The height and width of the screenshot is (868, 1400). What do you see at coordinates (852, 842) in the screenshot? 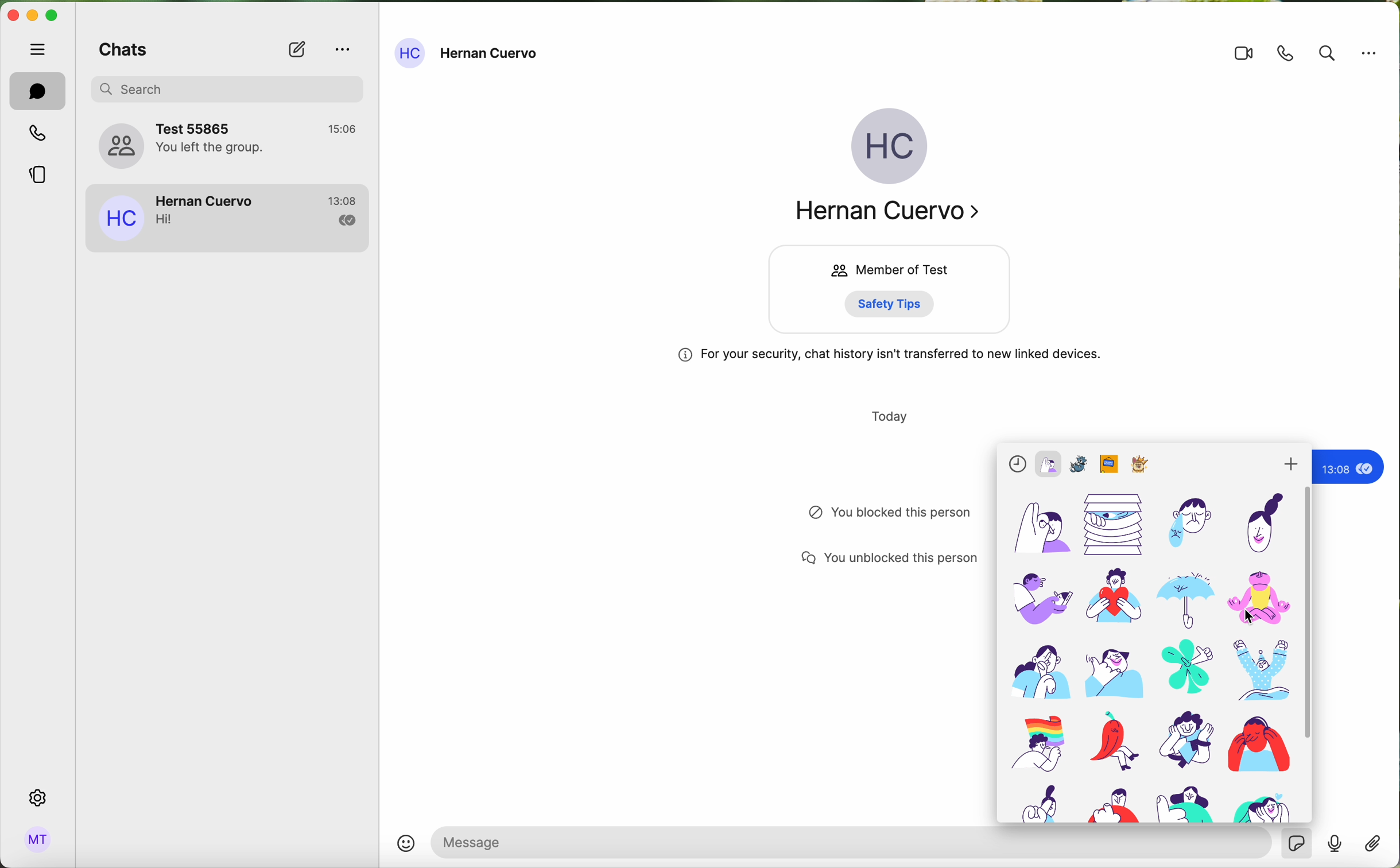
I see `space to write the message` at bounding box center [852, 842].